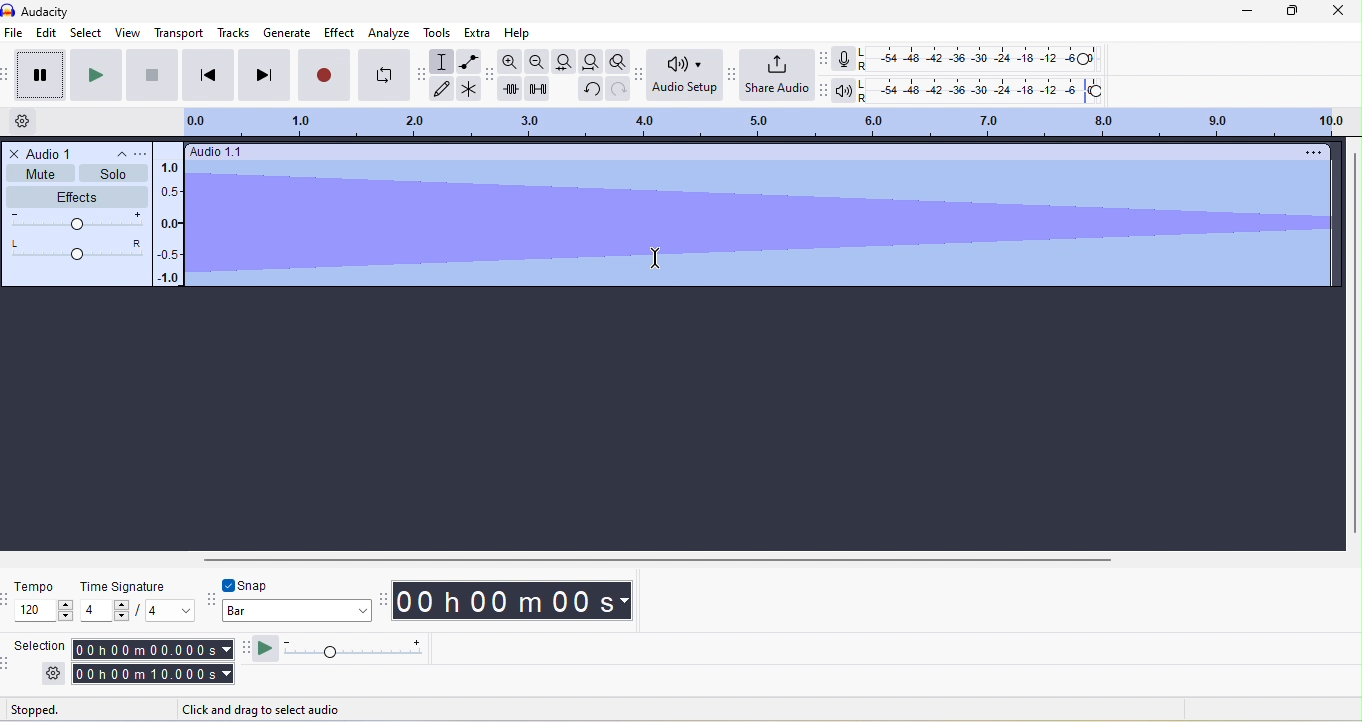  What do you see at coordinates (848, 58) in the screenshot?
I see `record meter` at bounding box center [848, 58].